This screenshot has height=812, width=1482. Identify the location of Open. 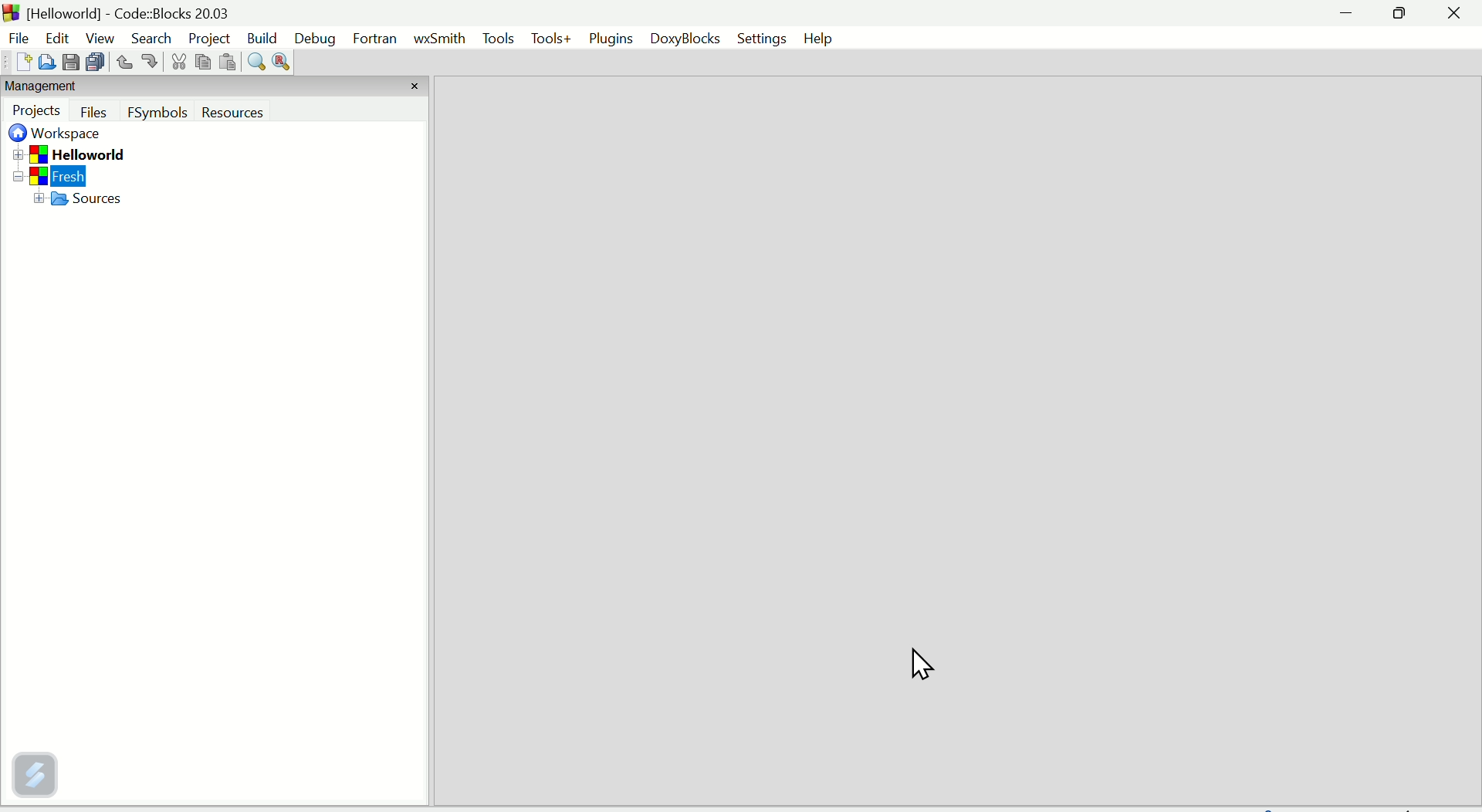
(46, 61).